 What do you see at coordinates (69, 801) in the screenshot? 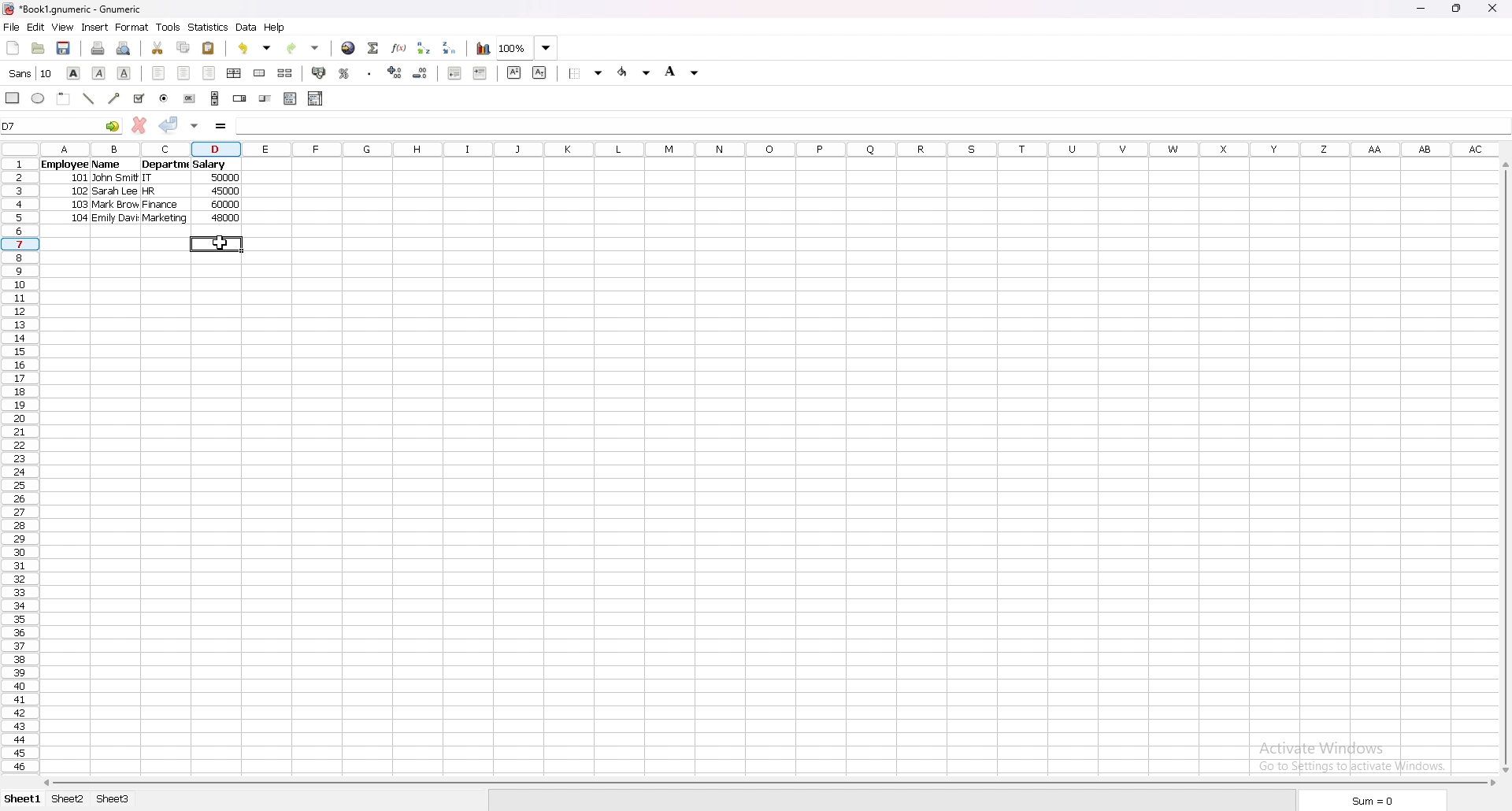
I see `sheet 2` at bounding box center [69, 801].